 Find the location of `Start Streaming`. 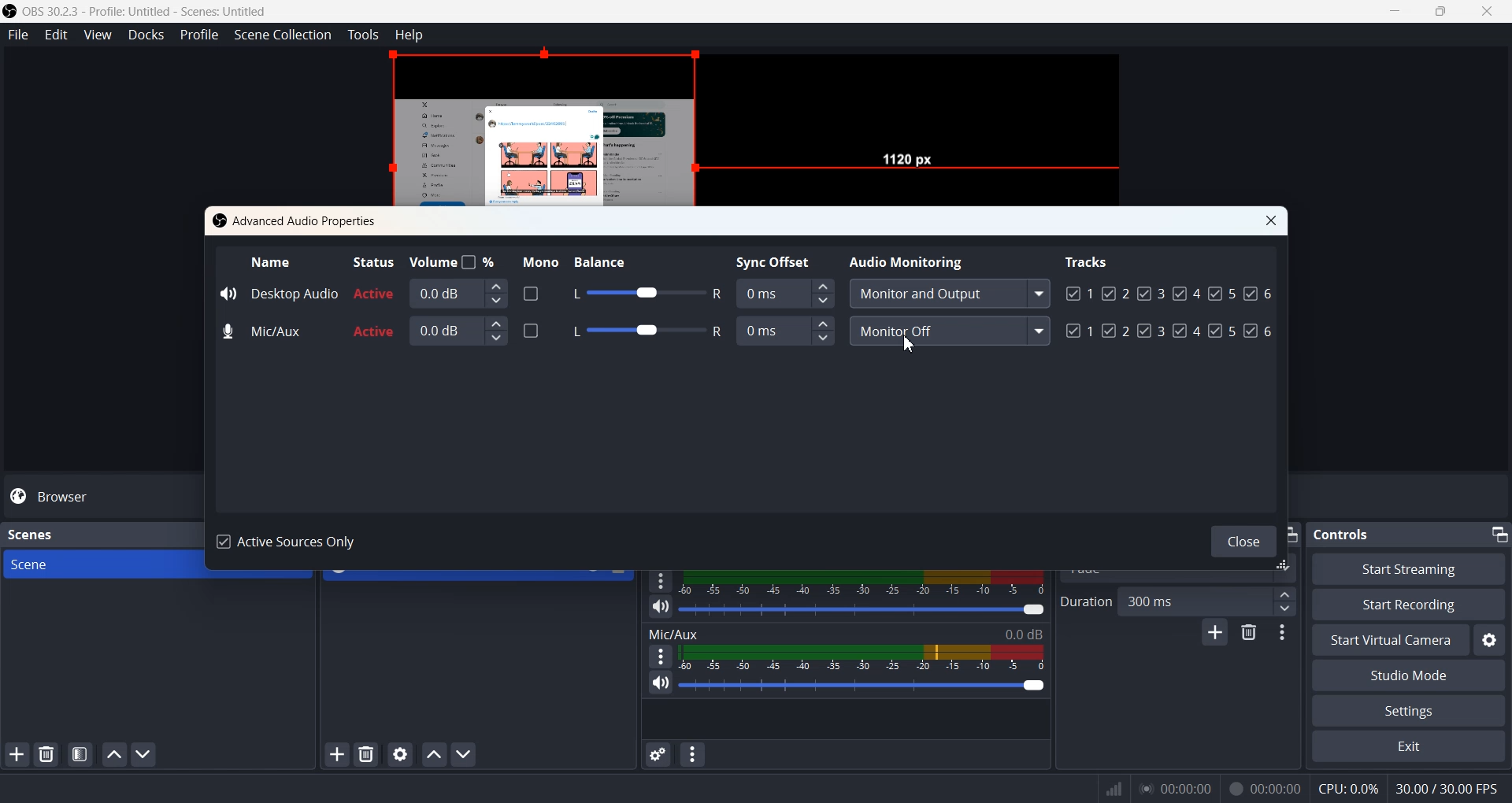

Start Streaming is located at coordinates (1410, 568).